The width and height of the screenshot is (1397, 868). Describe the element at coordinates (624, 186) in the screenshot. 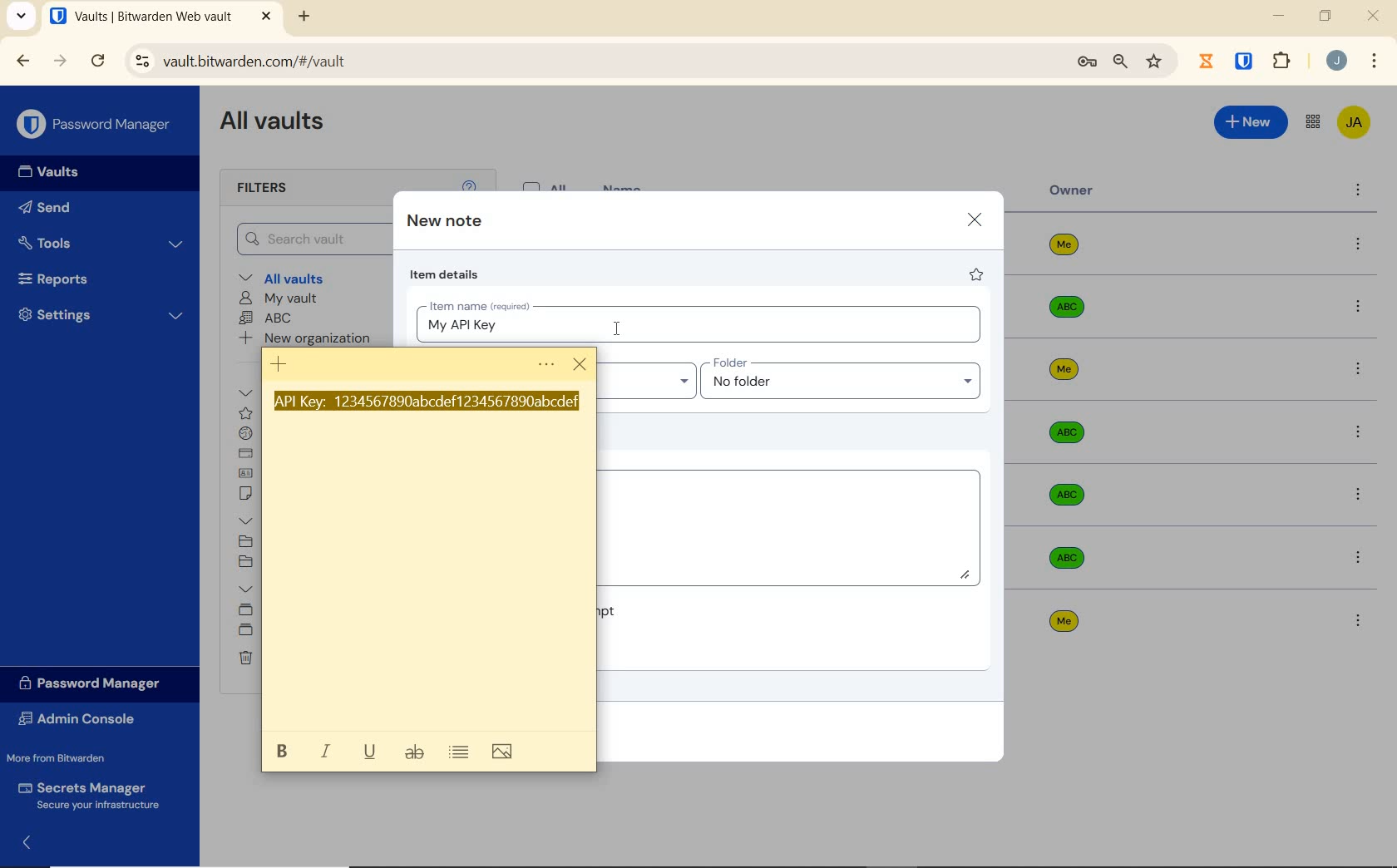

I see `name` at that location.